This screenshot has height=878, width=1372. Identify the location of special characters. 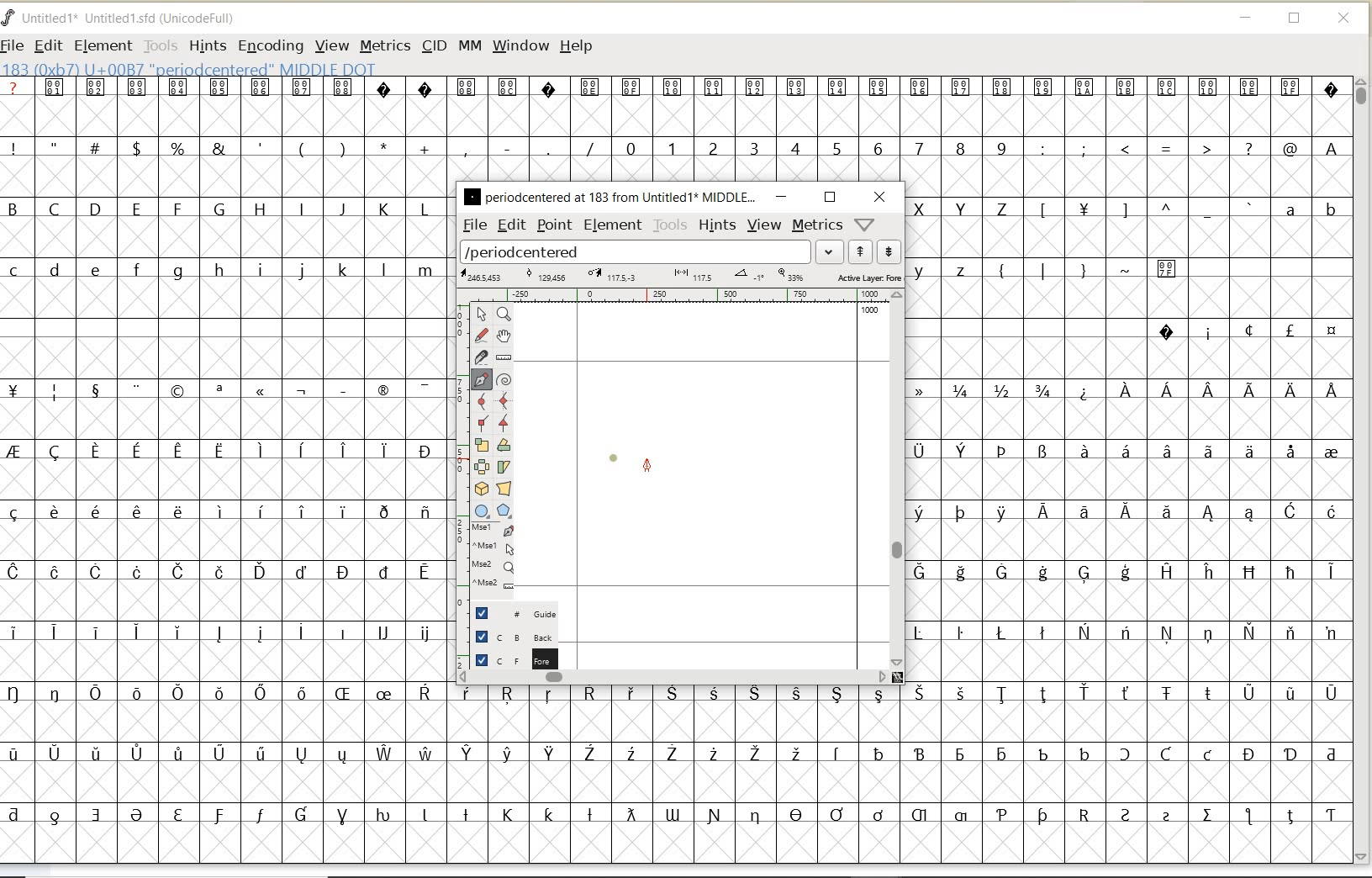
(1247, 331).